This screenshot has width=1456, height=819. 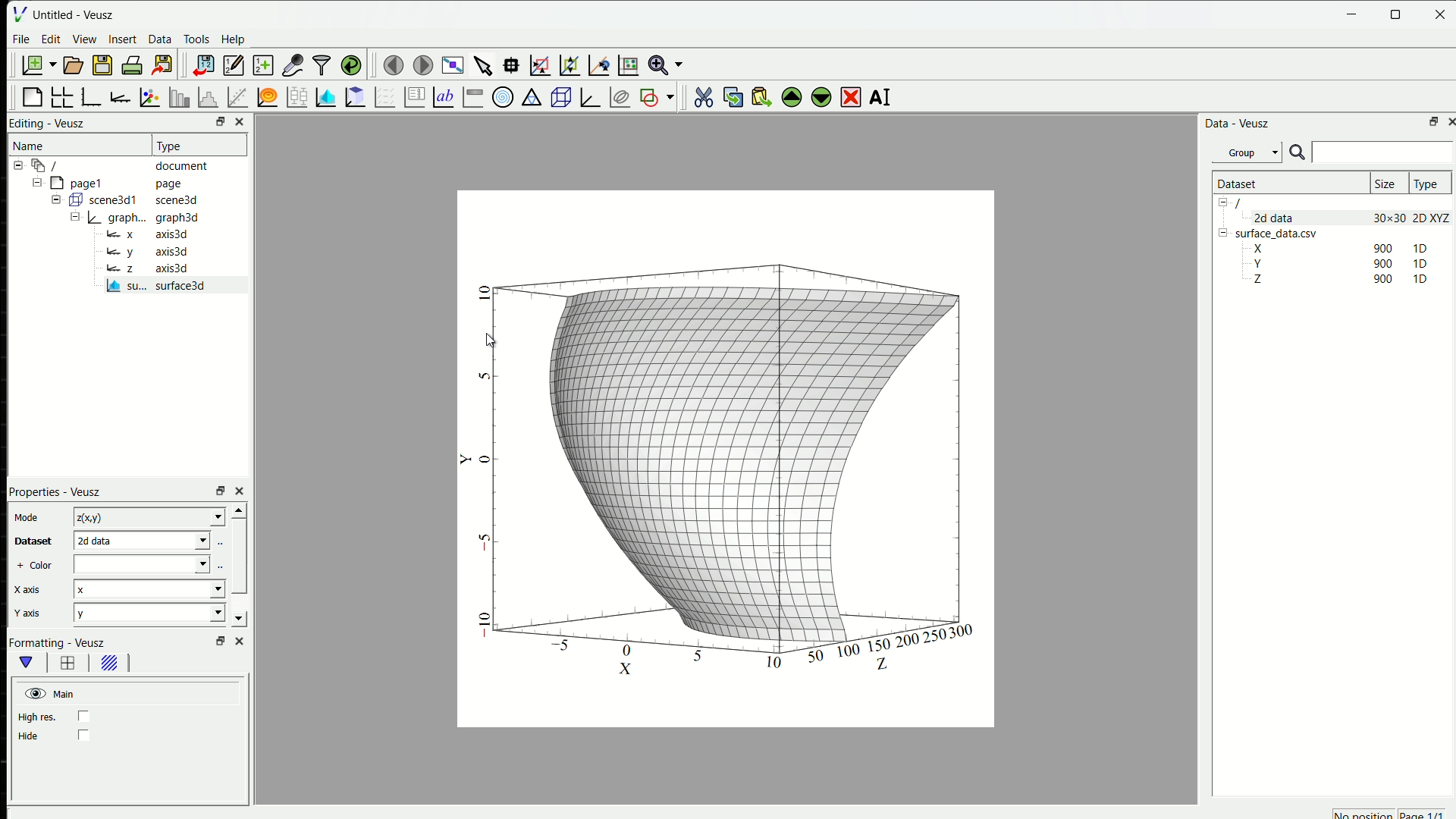 I want to click on add a shape to the plot, so click(x=657, y=96).